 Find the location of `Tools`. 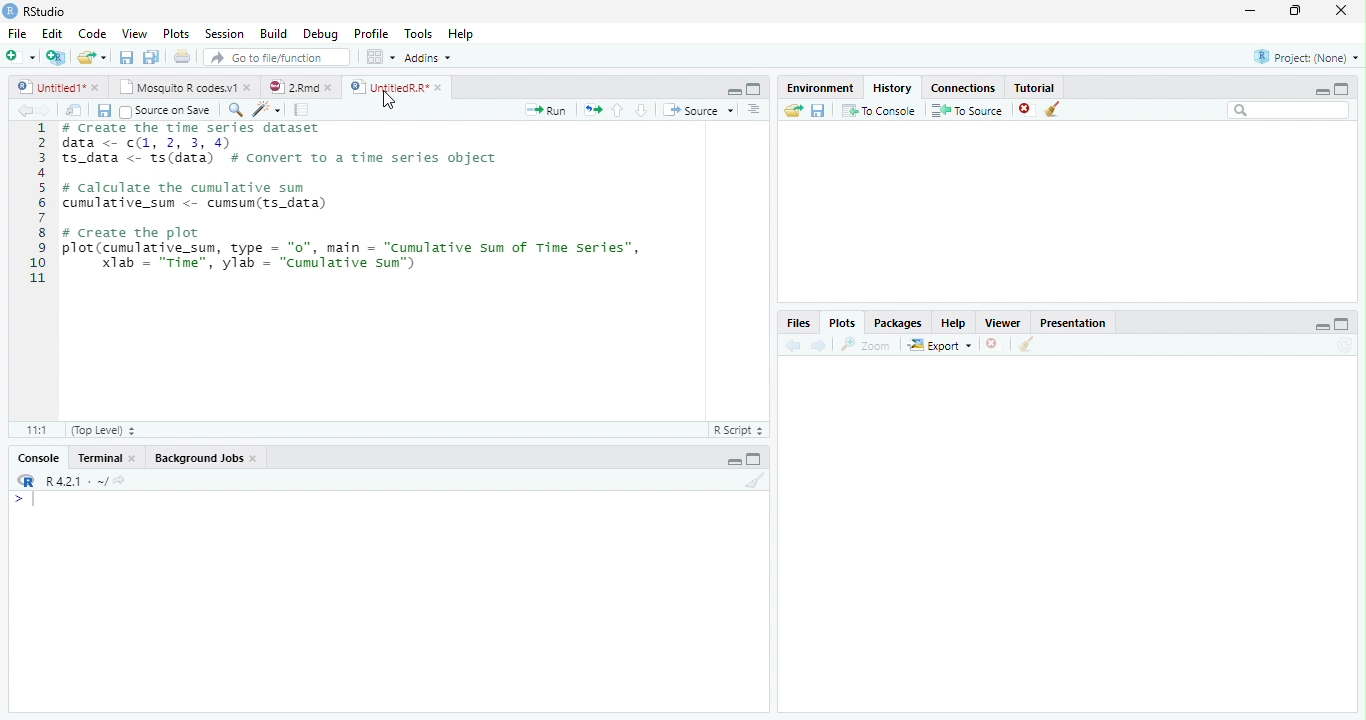

Tools is located at coordinates (418, 35).